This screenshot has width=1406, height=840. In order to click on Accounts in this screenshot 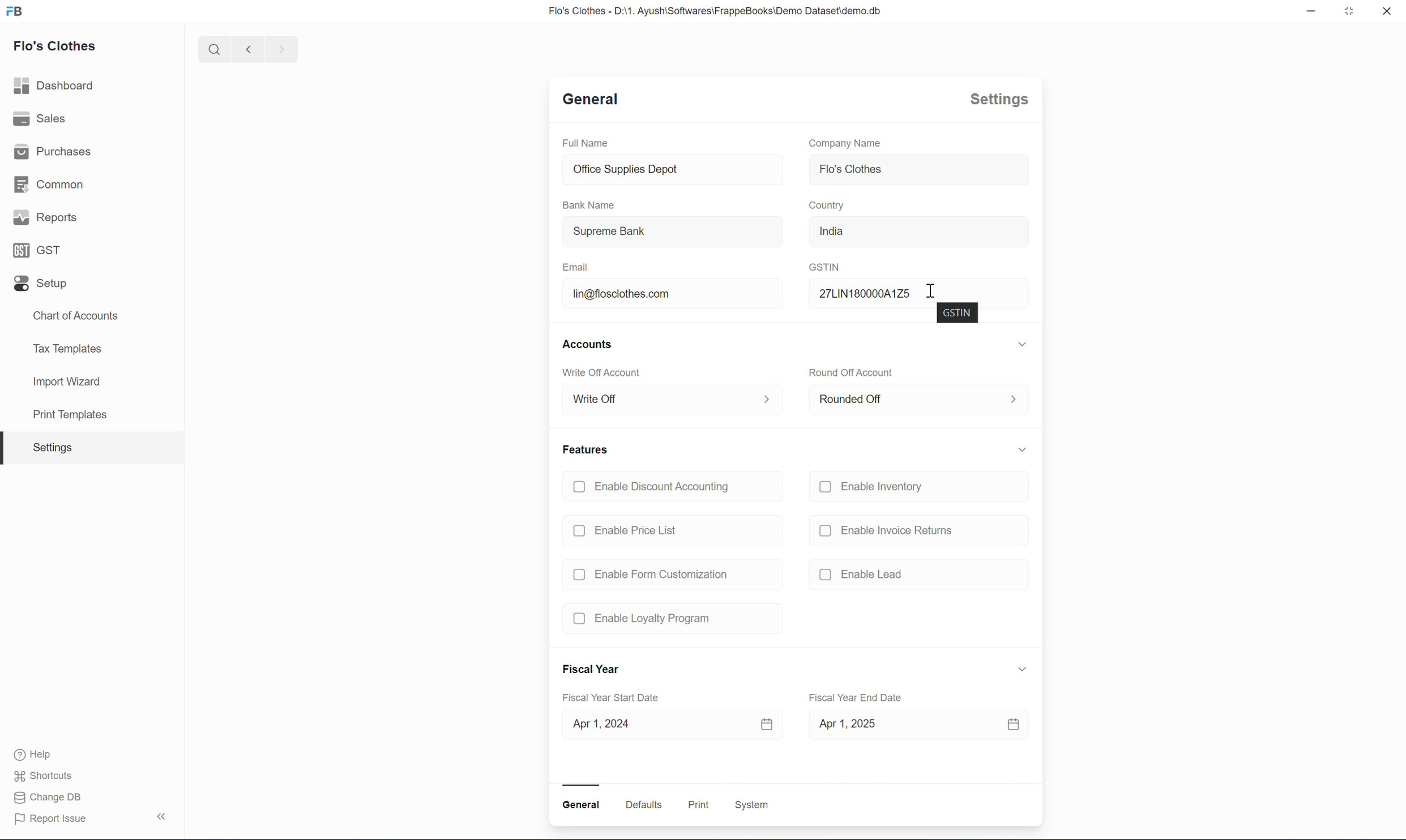, I will do `click(588, 346)`.